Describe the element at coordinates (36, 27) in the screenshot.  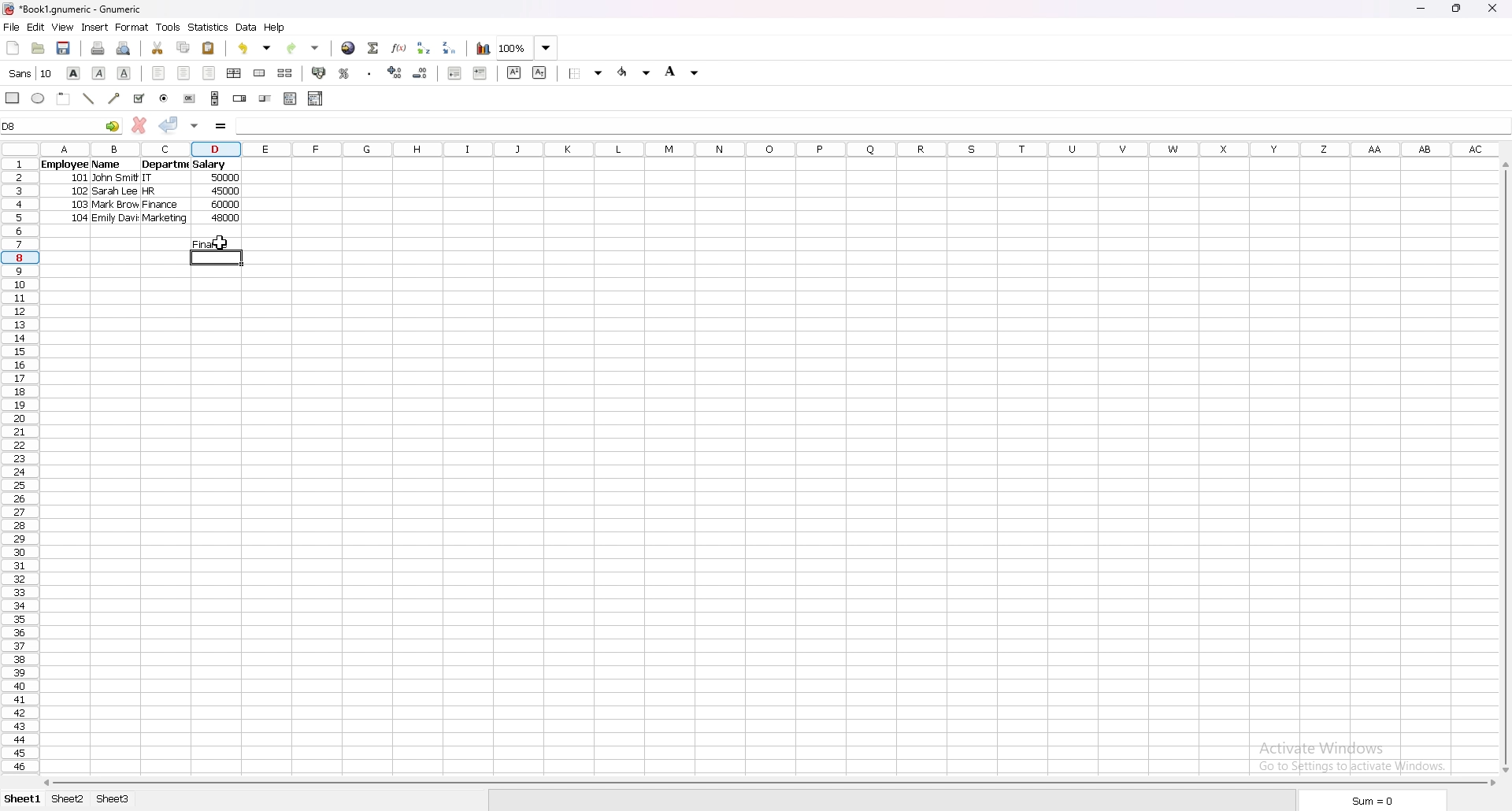
I see `edit` at that location.